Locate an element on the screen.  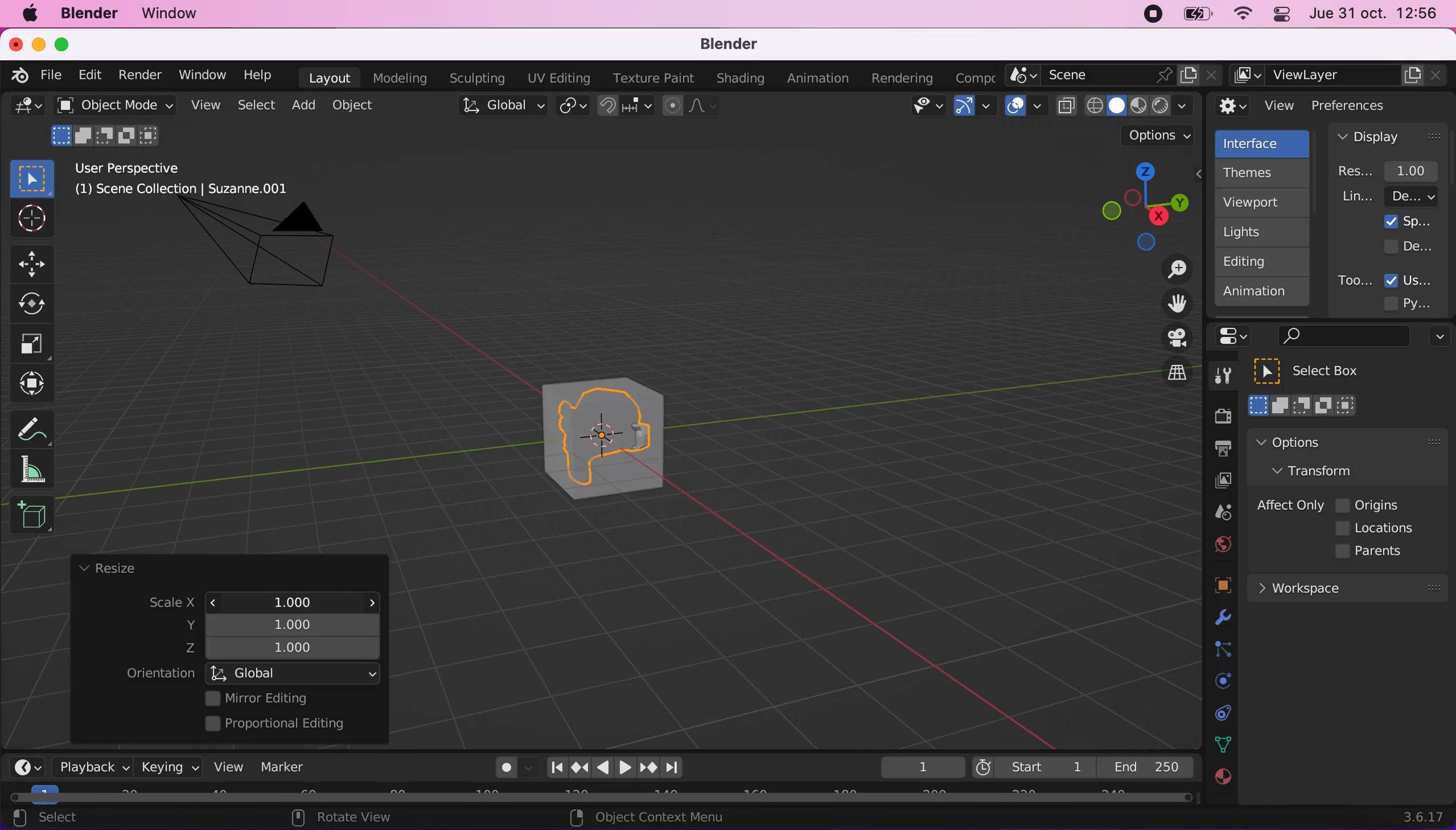
playback is located at coordinates (89, 766).